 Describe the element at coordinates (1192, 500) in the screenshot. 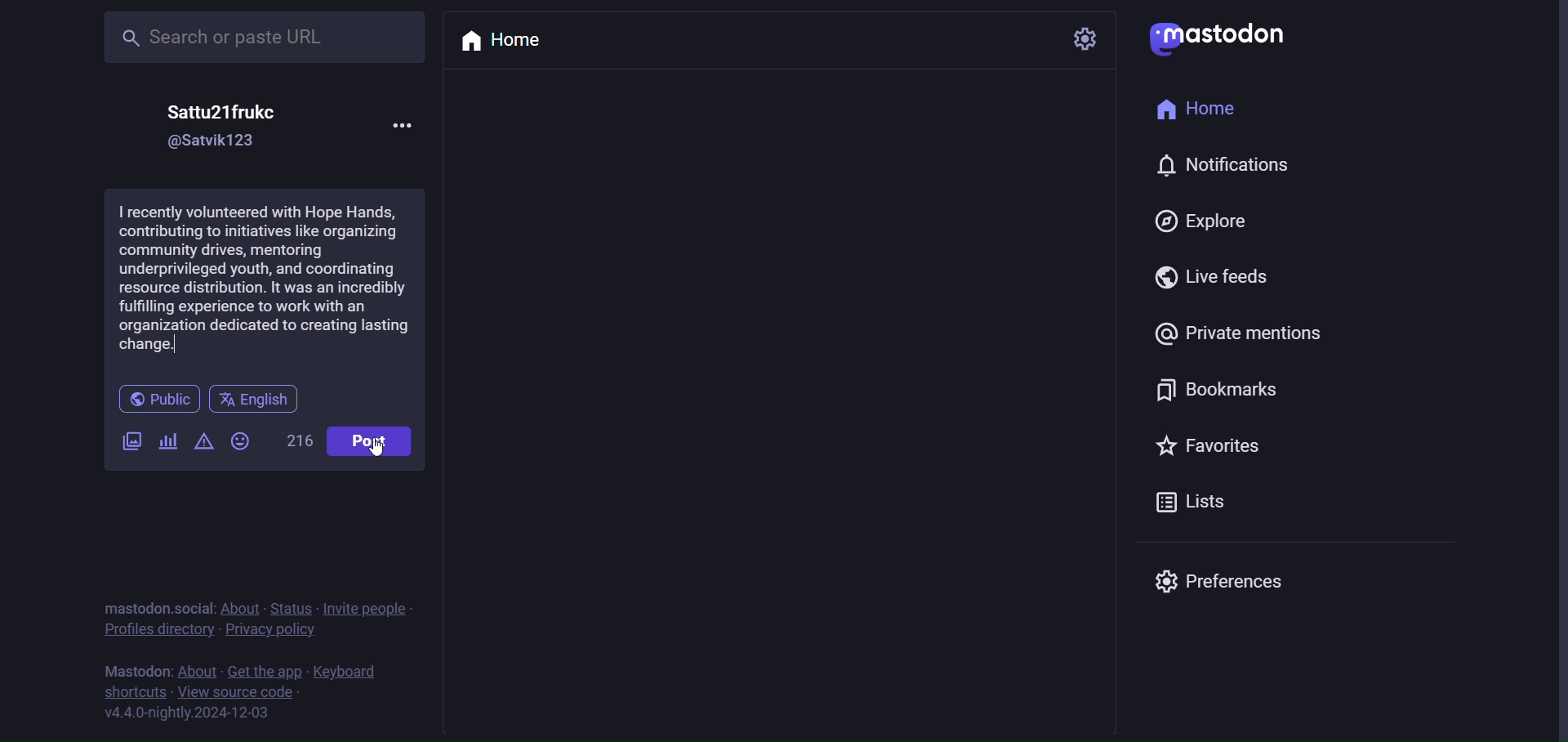

I see `lists` at that location.